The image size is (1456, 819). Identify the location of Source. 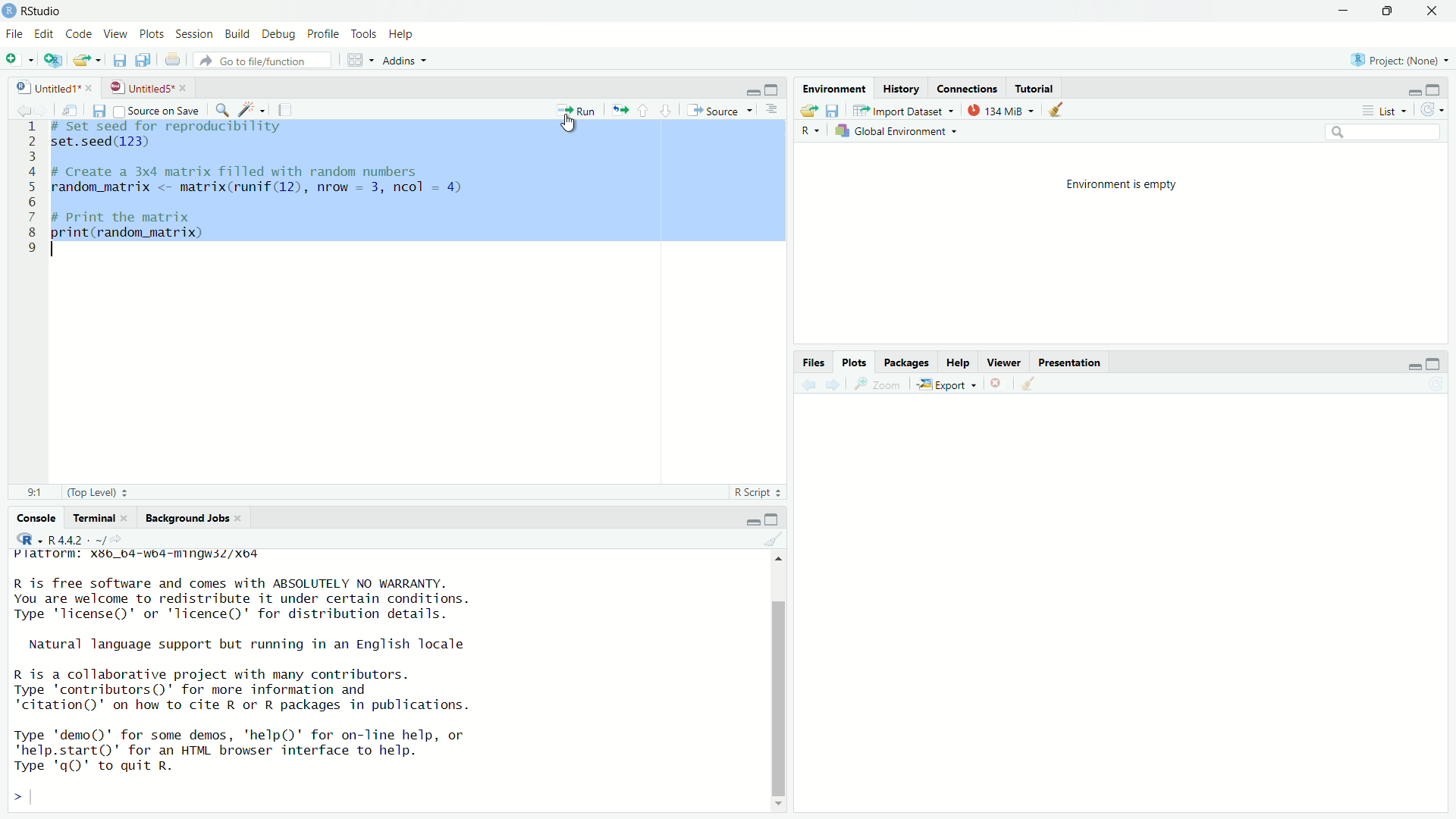
(722, 108).